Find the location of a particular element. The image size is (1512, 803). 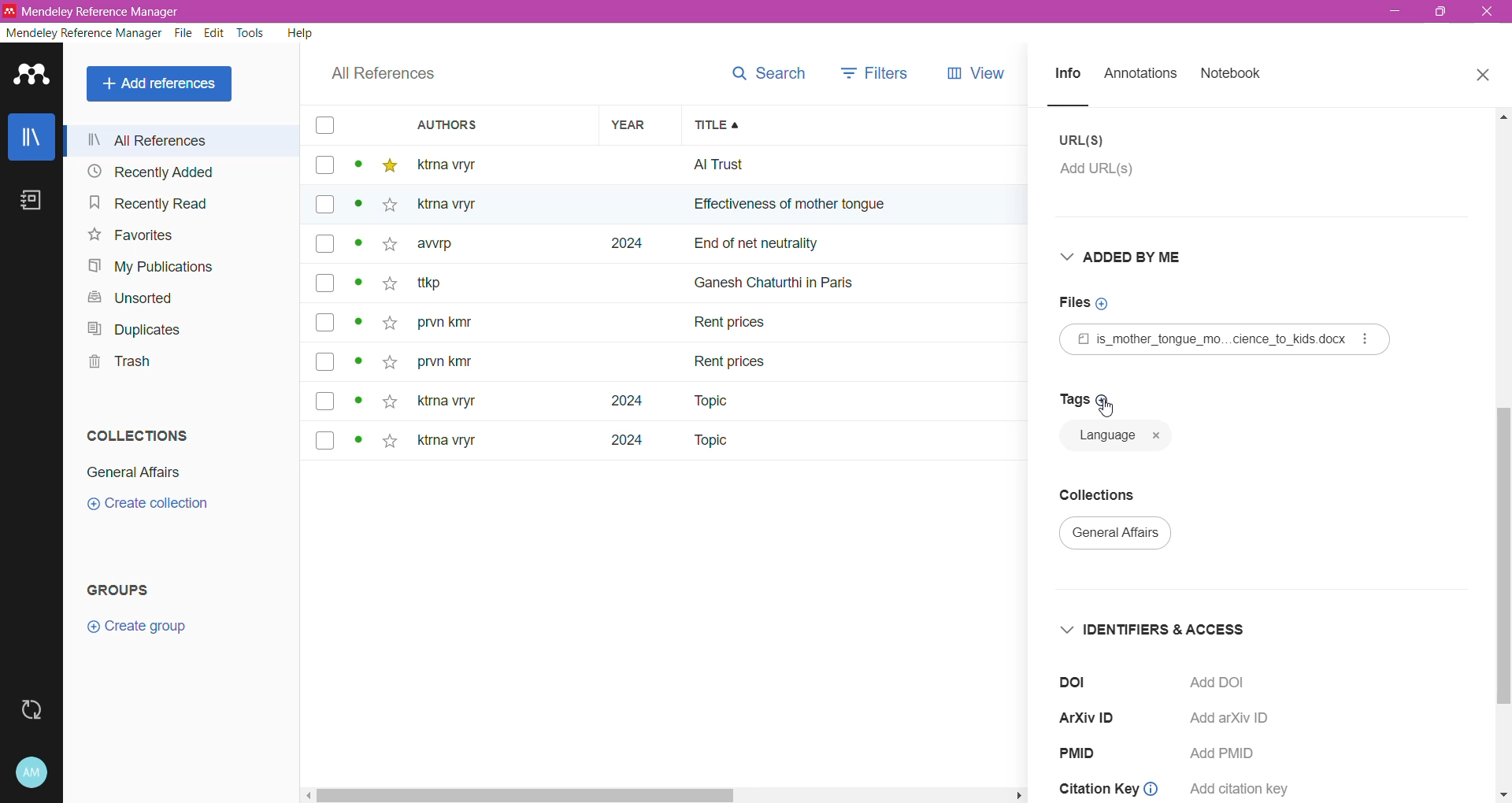

~ ttkp is located at coordinates (455, 283).